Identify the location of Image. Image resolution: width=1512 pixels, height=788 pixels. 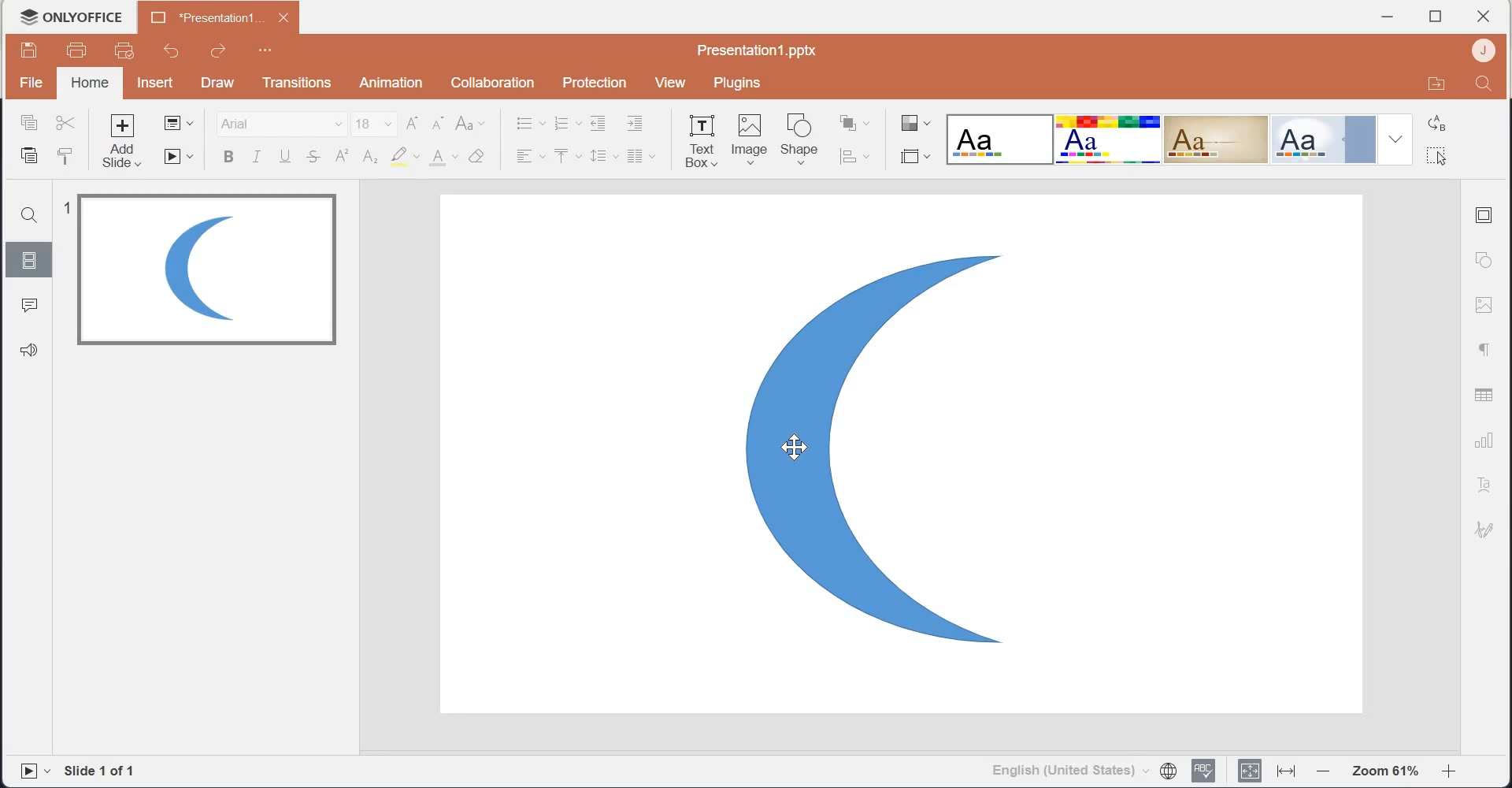
(206, 271).